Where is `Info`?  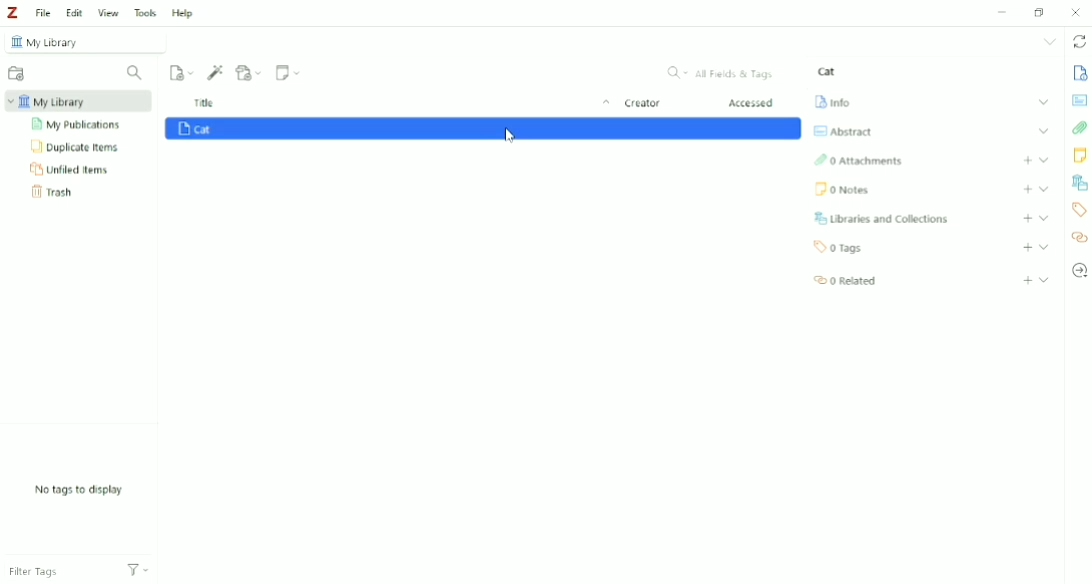
Info is located at coordinates (832, 100).